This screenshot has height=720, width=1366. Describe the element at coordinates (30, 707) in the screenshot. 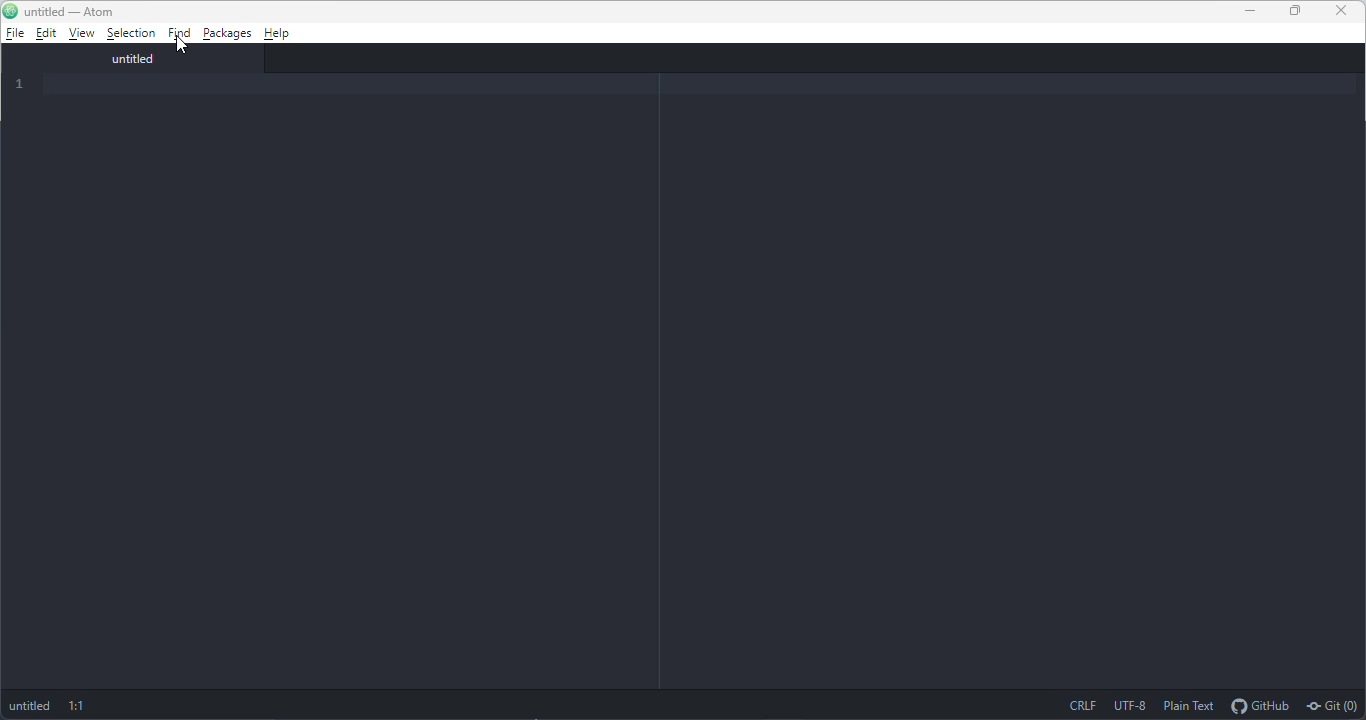

I see `untitled` at that location.